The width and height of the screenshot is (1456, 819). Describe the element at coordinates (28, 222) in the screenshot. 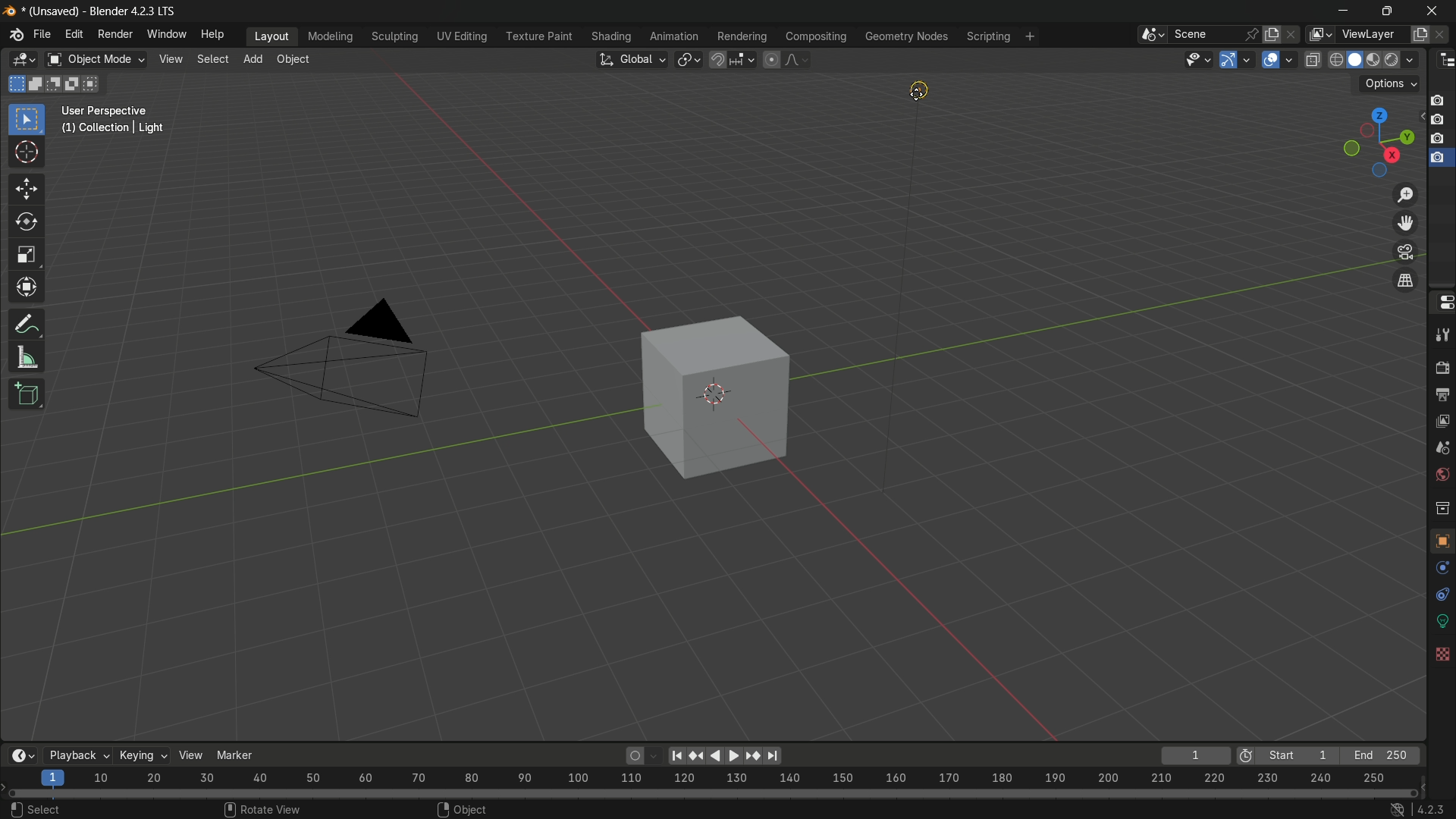

I see `rotate` at that location.